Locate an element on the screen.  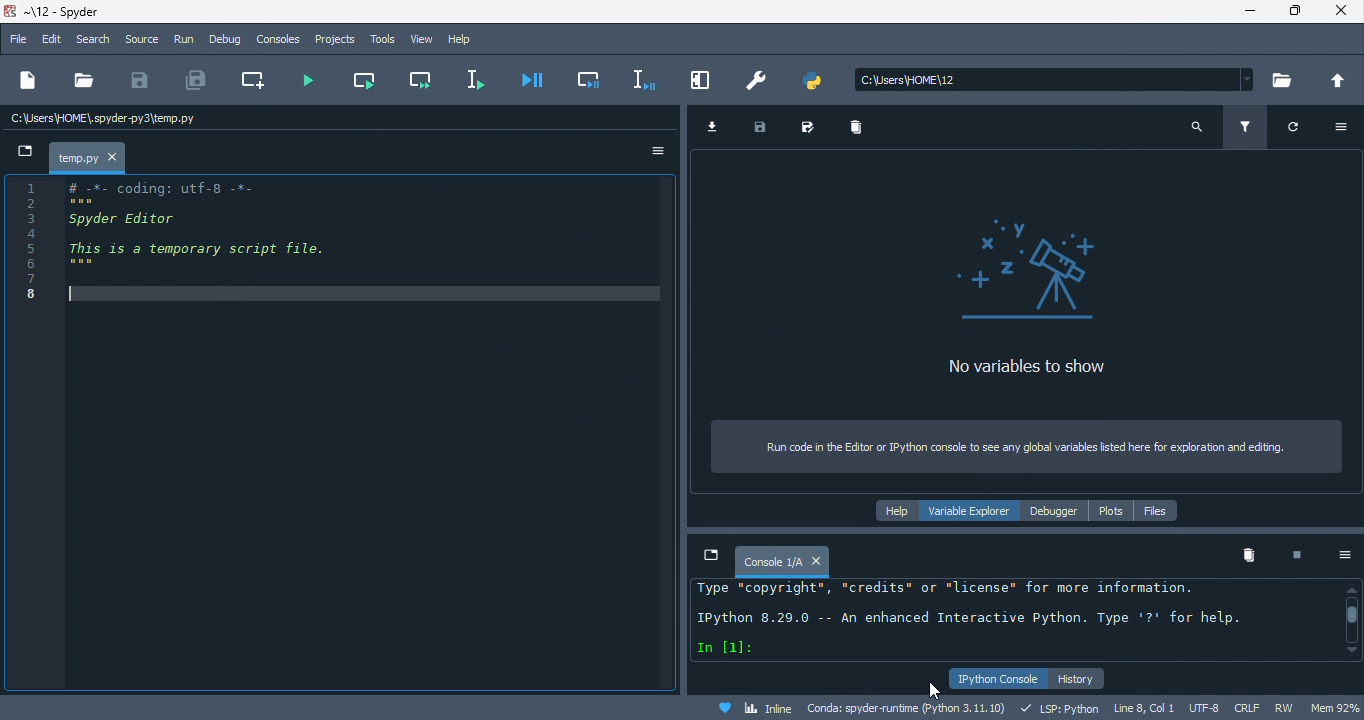
plots is located at coordinates (1112, 512).